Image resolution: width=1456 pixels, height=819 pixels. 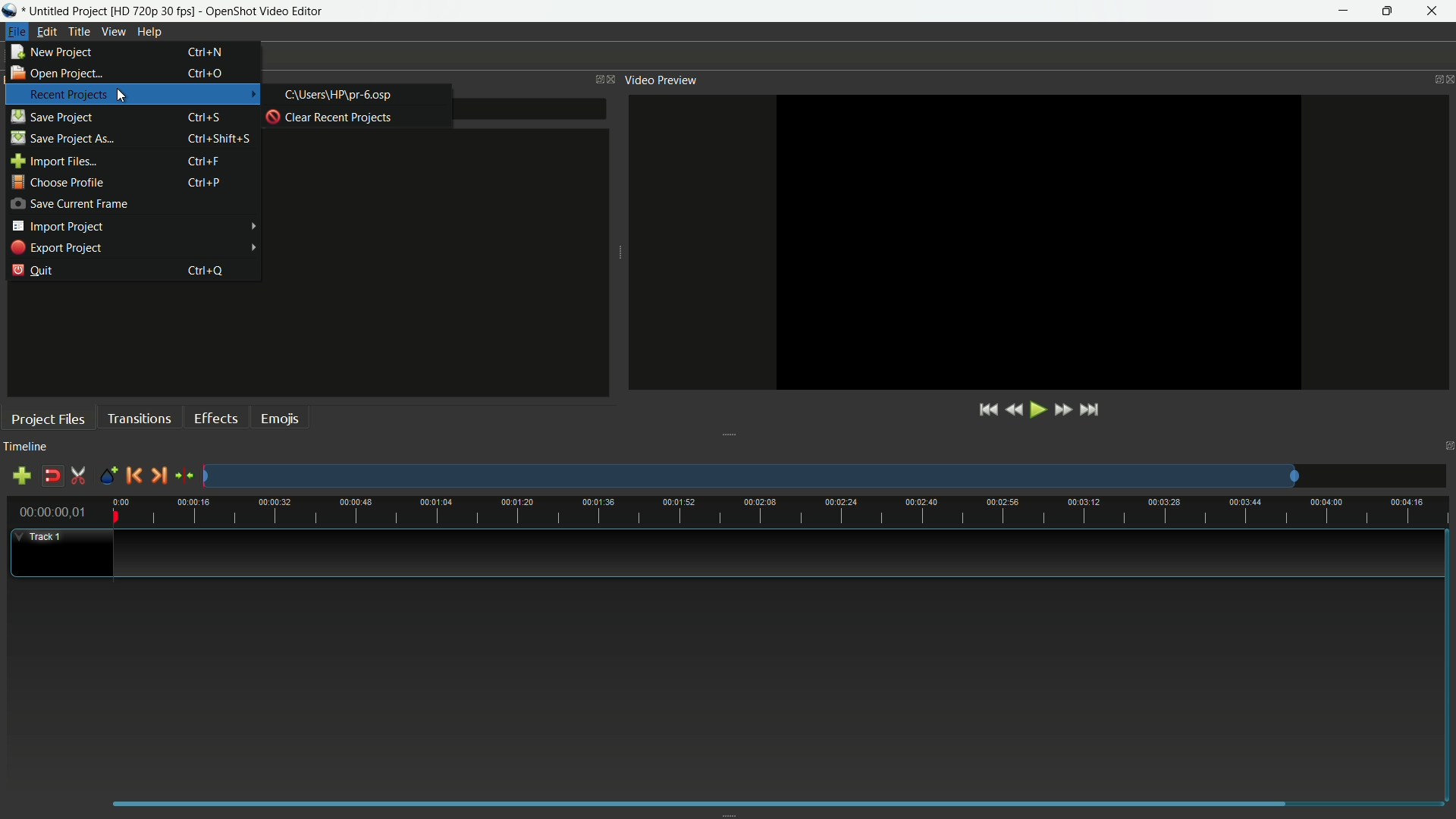 What do you see at coordinates (206, 162) in the screenshot?
I see `keyboard shortcut` at bounding box center [206, 162].